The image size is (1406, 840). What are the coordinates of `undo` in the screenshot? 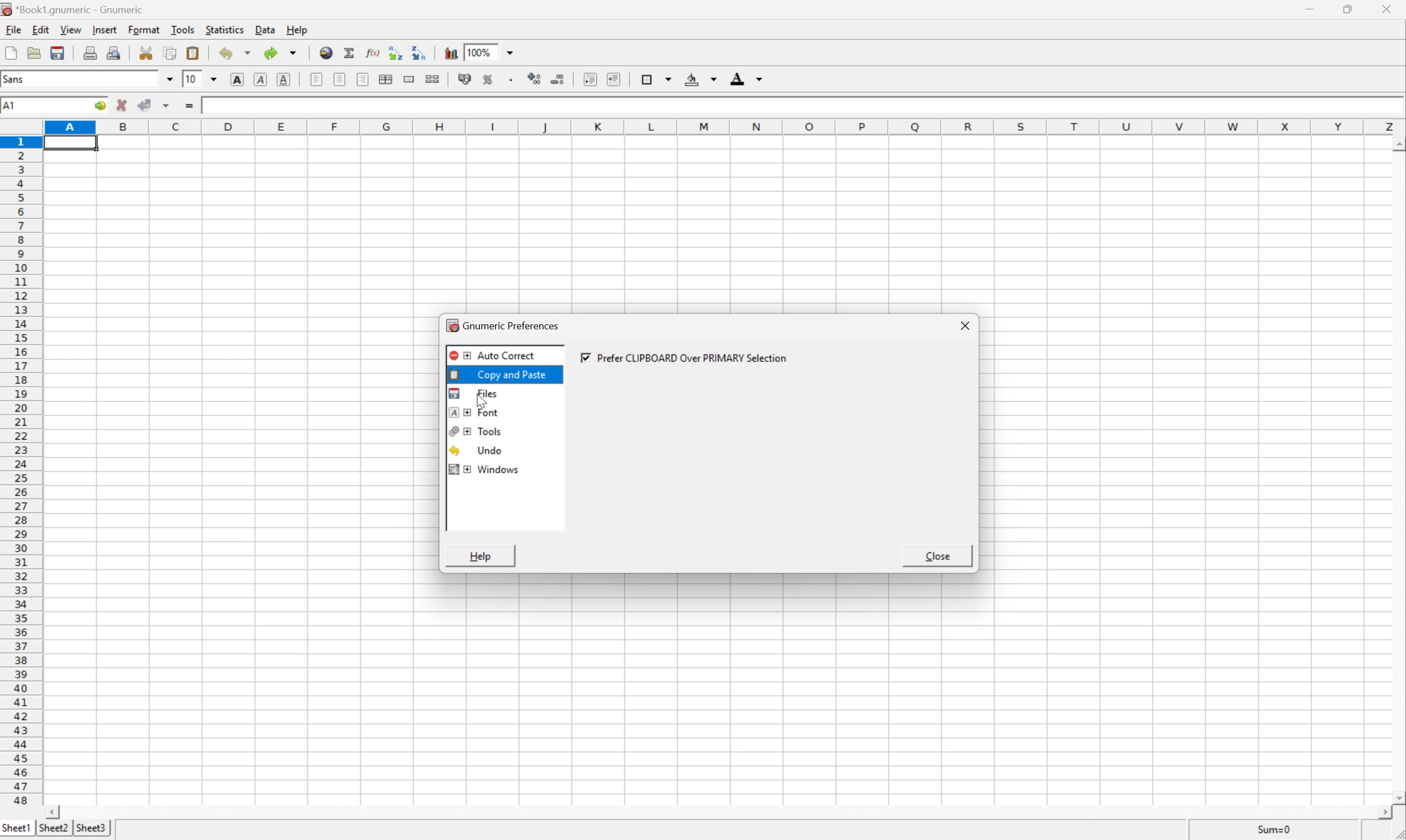 It's located at (234, 53).